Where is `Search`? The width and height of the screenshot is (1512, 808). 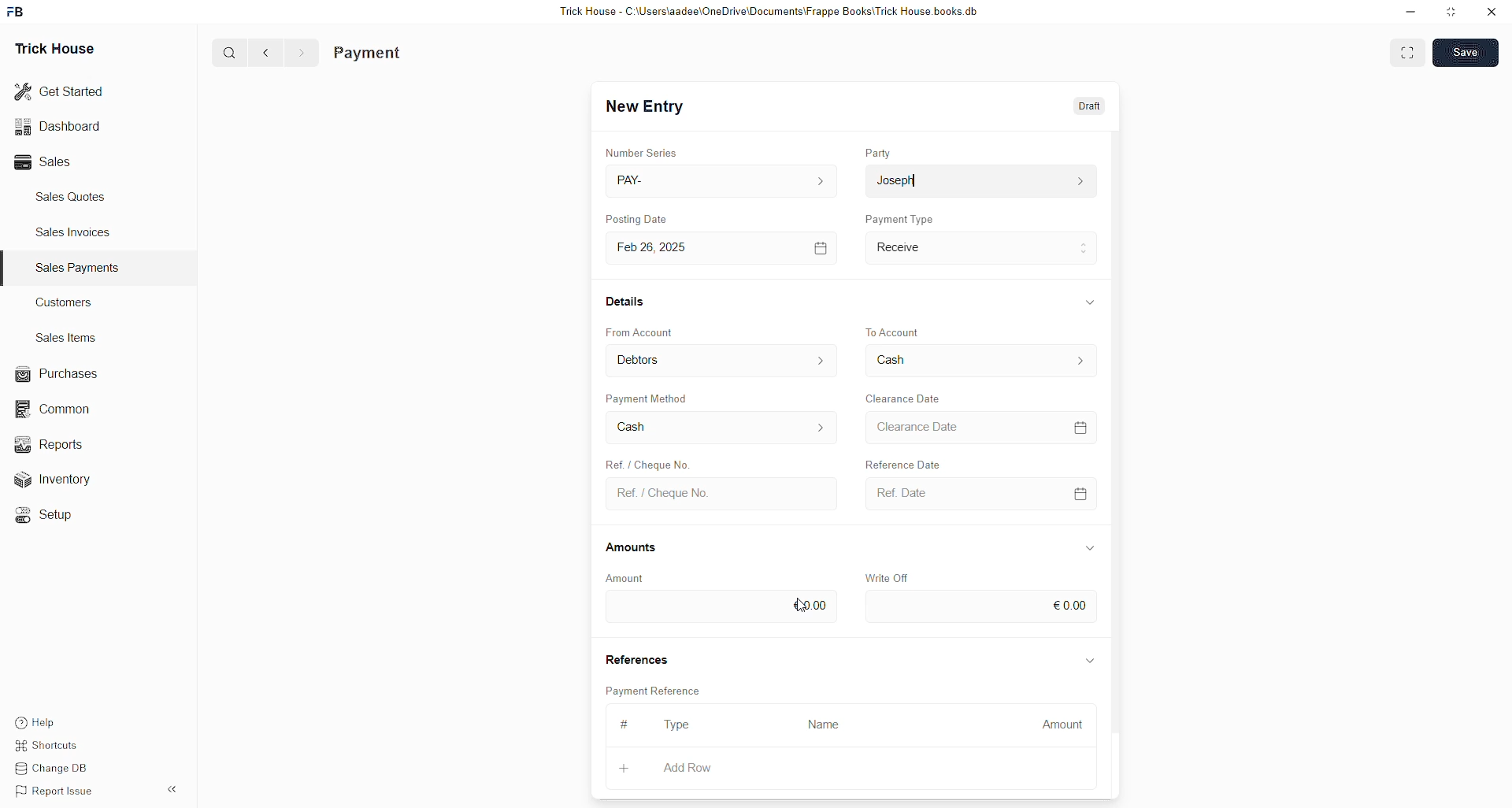
Search is located at coordinates (229, 52).